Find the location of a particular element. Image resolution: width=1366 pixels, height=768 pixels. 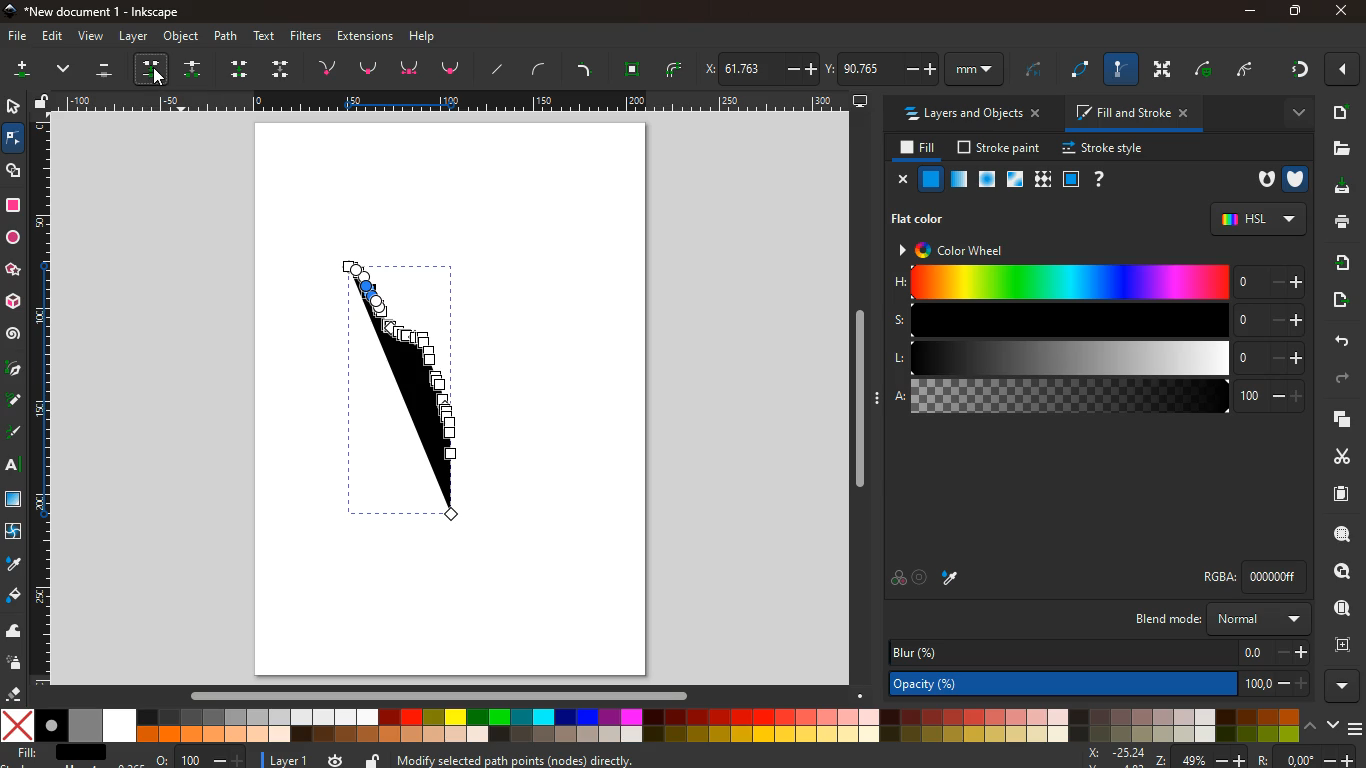

receive is located at coordinates (1337, 263).